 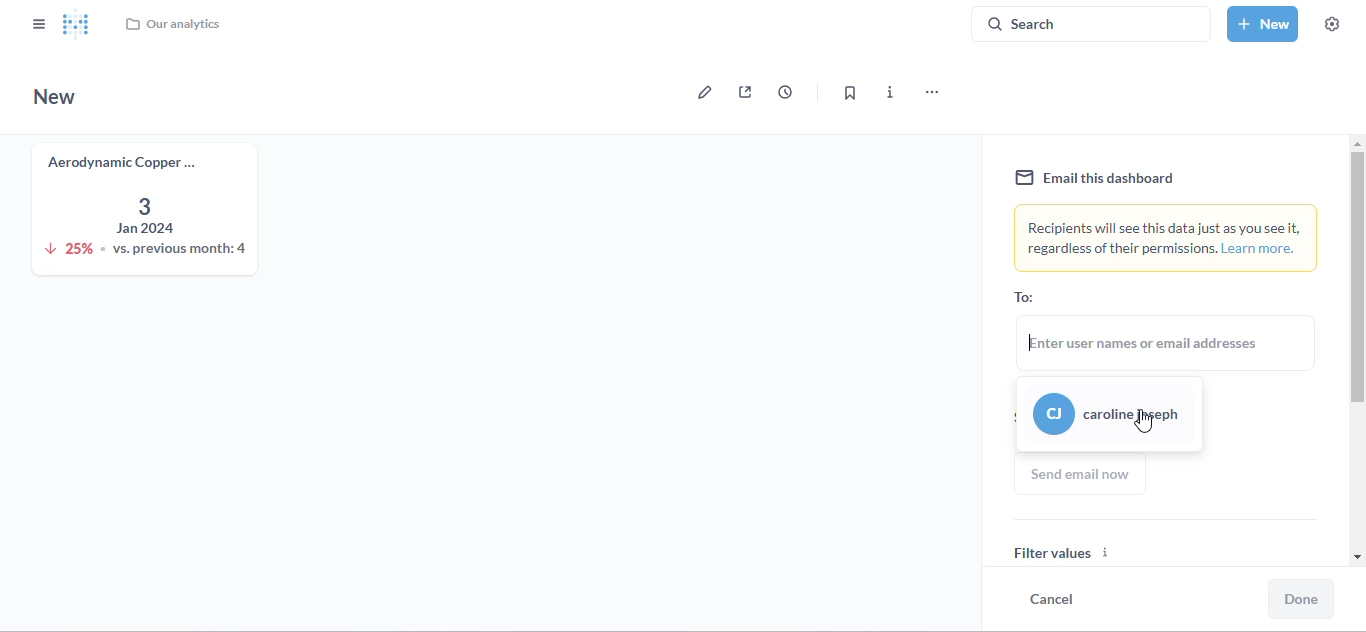 What do you see at coordinates (745, 92) in the screenshot?
I see `sharing` at bounding box center [745, 92].